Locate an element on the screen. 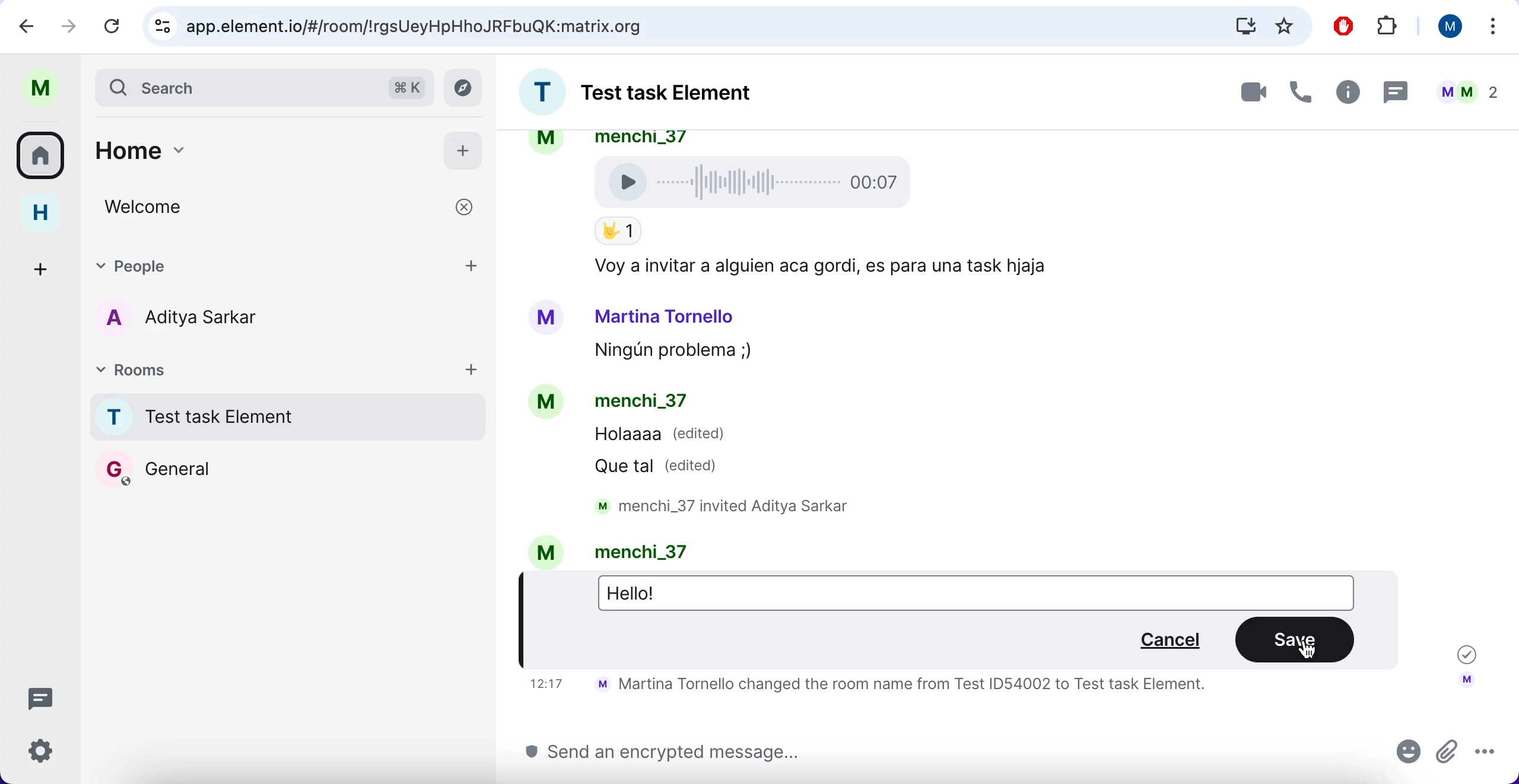 This screenshot has height=784, width=1519. emoji is located at coordinates (1409, 756).